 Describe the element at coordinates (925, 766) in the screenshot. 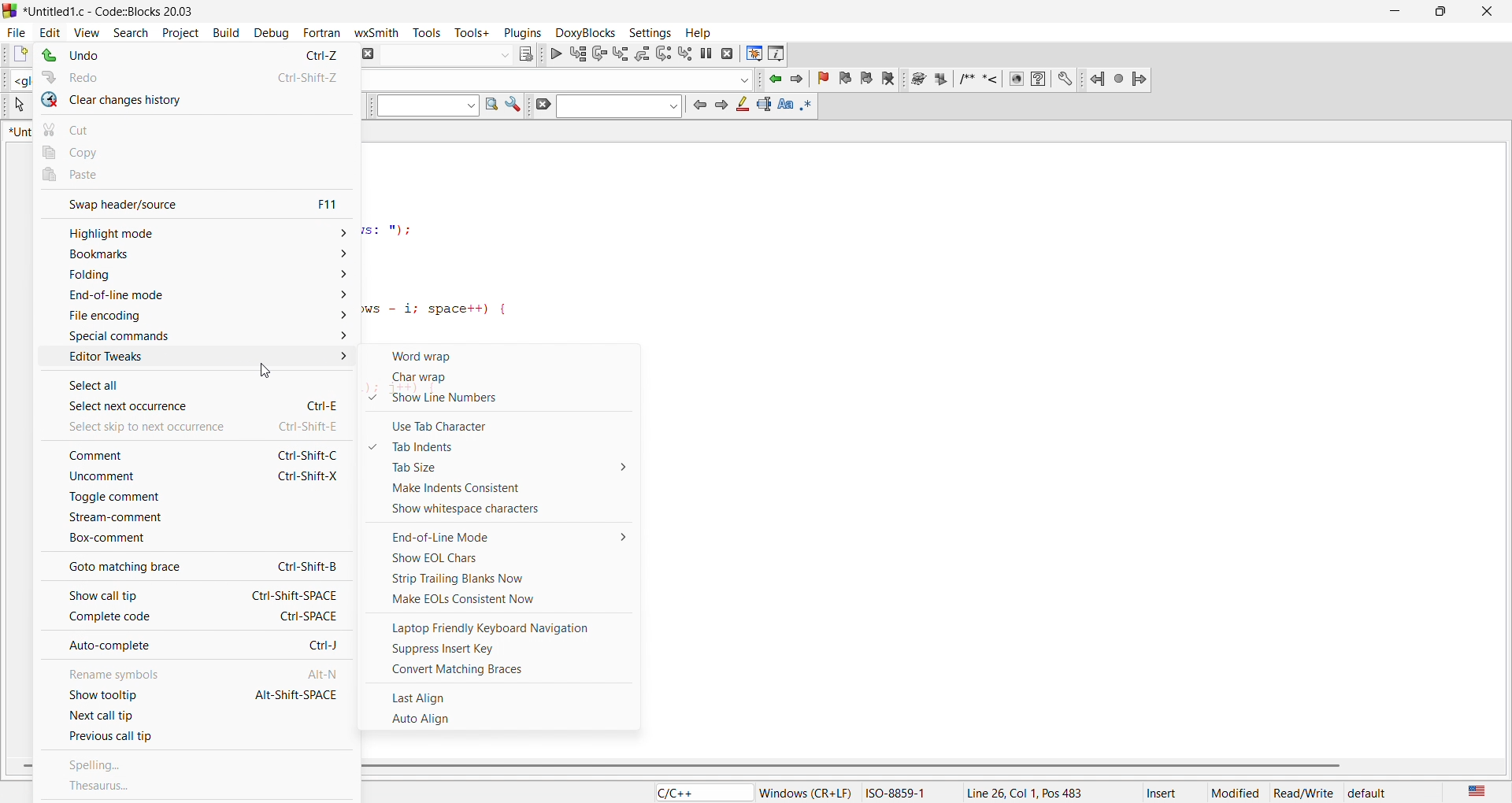

I see `scroll bar` at that location.